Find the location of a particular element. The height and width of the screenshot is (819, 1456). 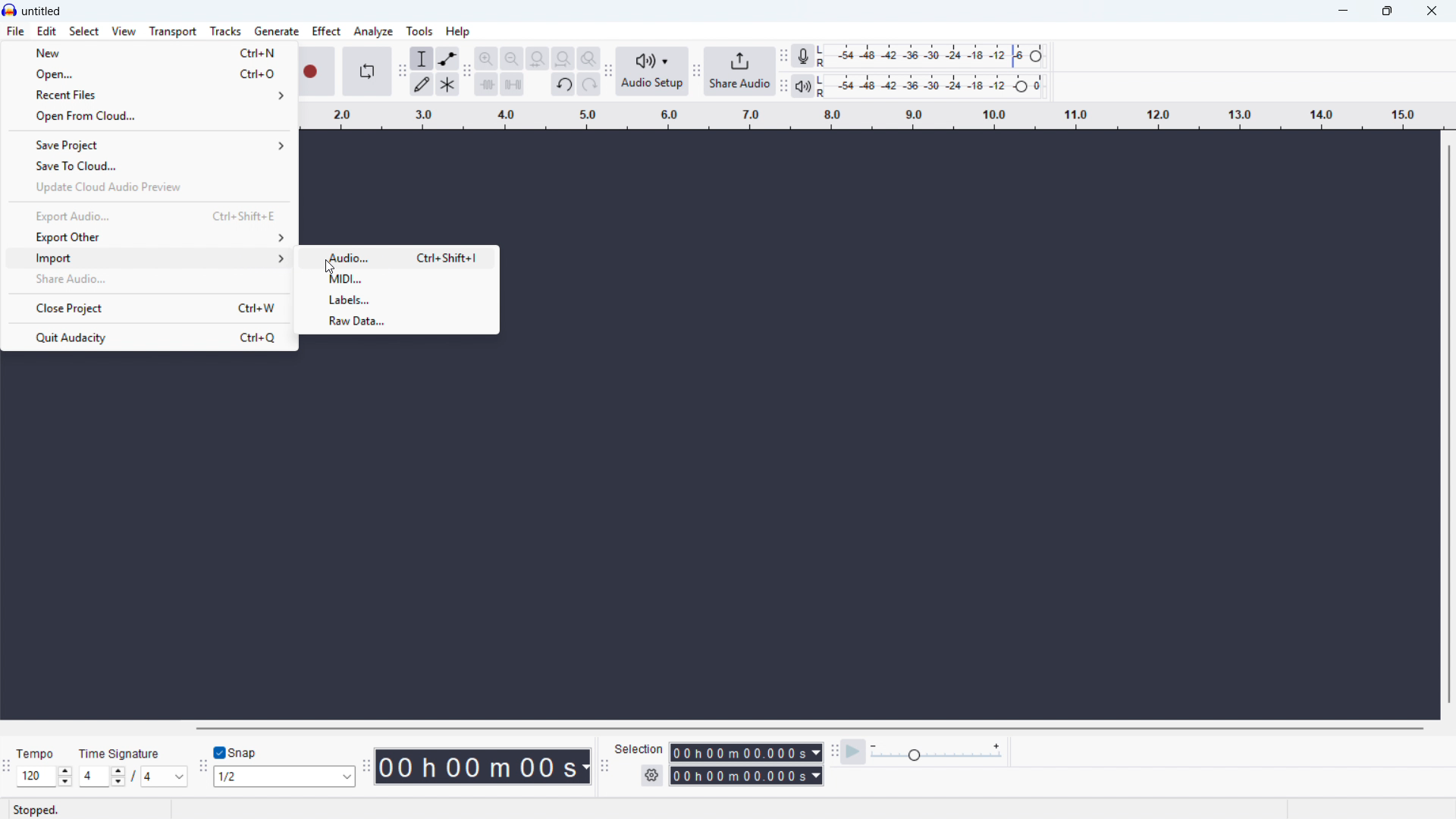

cursor is located at coordinates (329, 266).